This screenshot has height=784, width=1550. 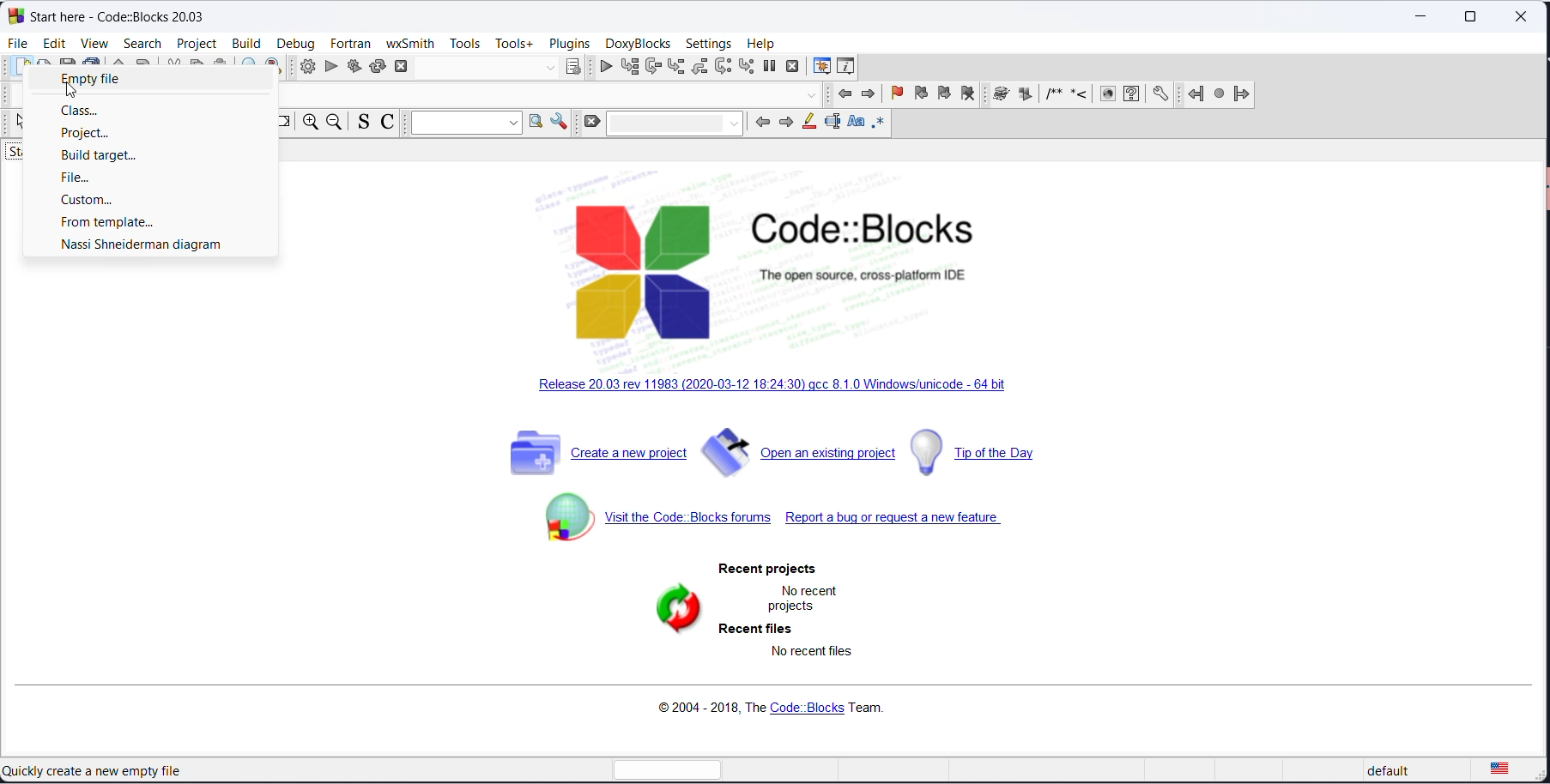 What do you see at coordinates (76, 93) in the screenshot?
I see `cursor` at bounding box center [76, 93].